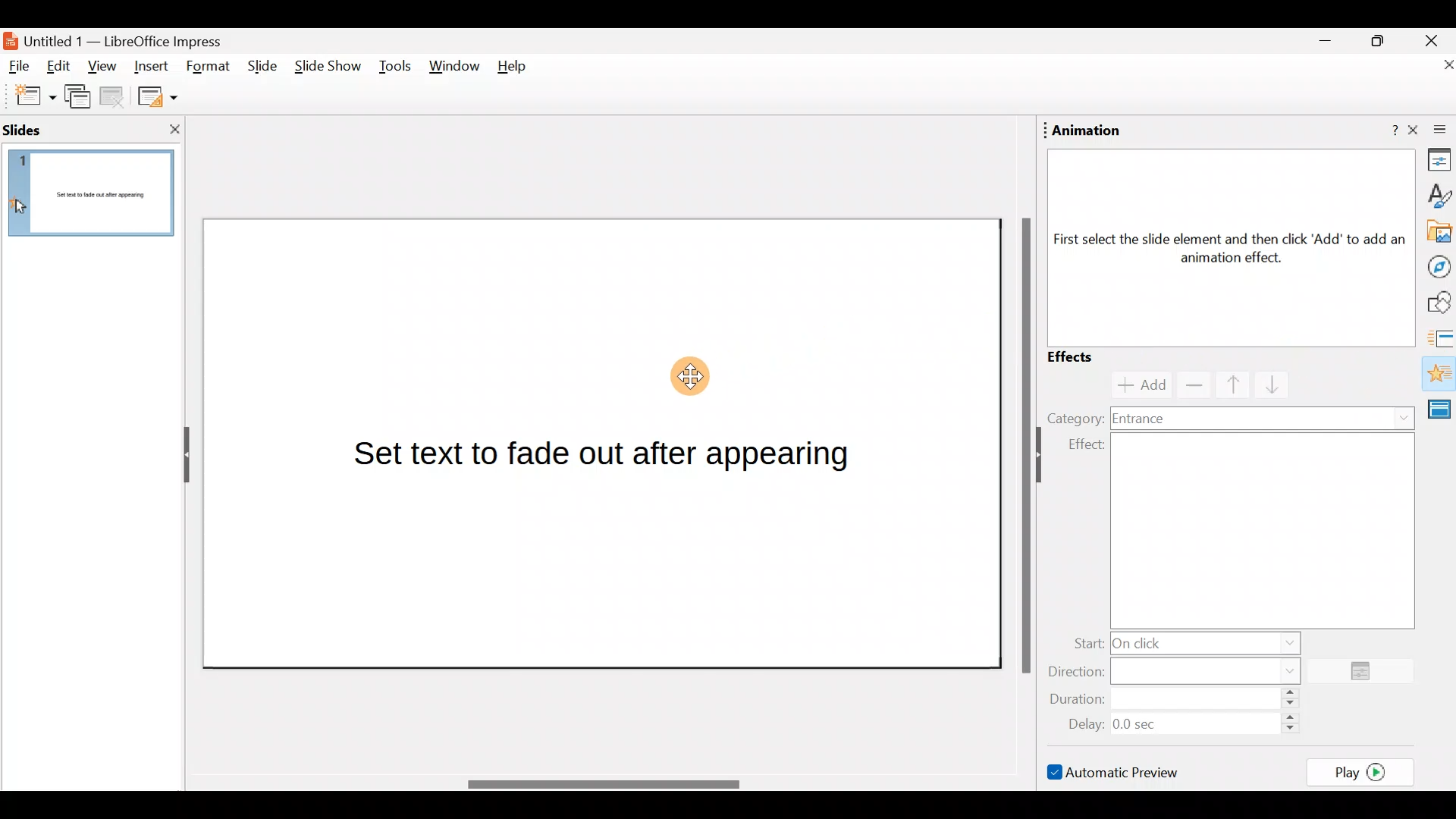 This screenshot has height=819, width=1456. I want to click on Slide show, so click(326, 70).